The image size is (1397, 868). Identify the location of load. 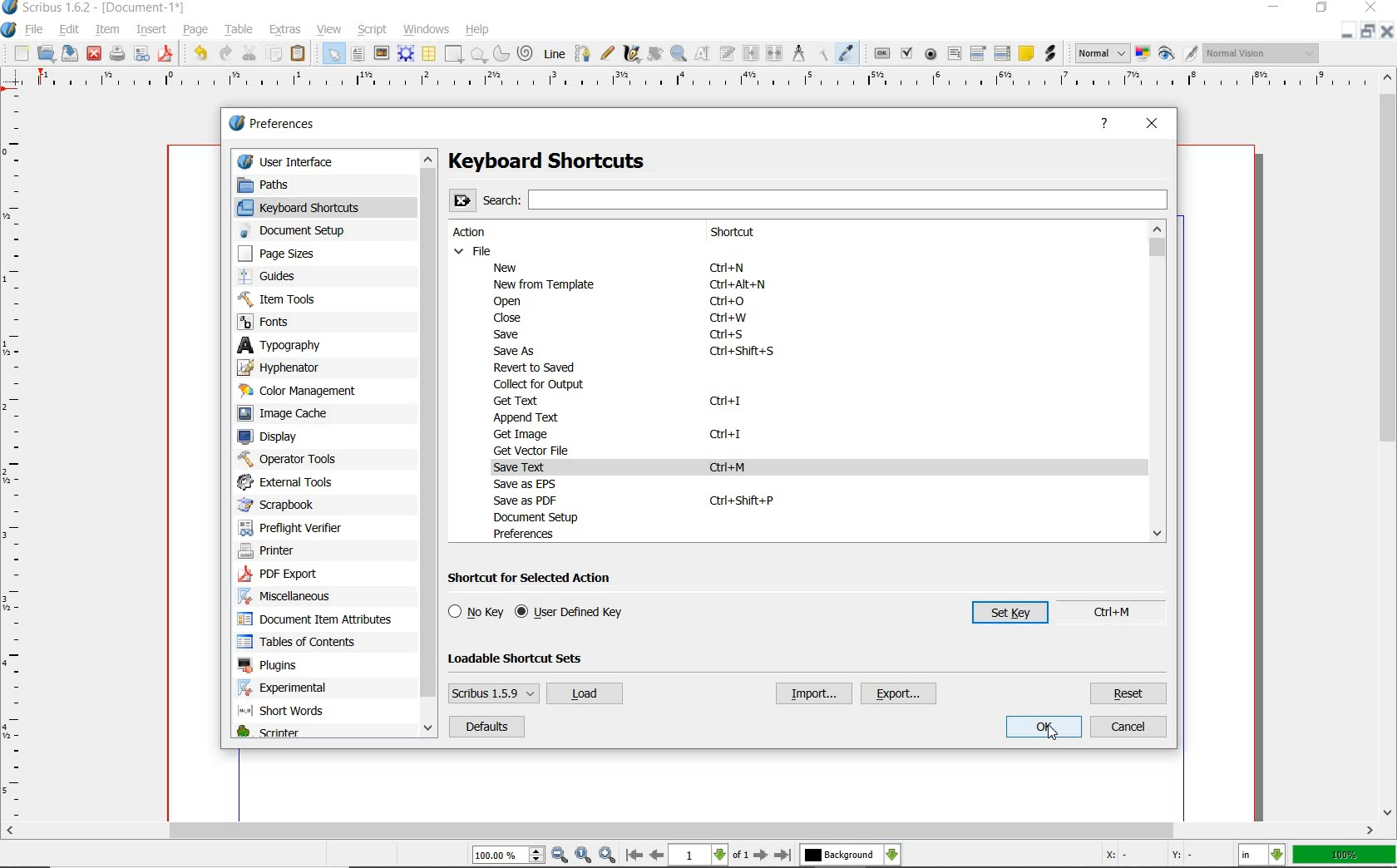
(584, 694).